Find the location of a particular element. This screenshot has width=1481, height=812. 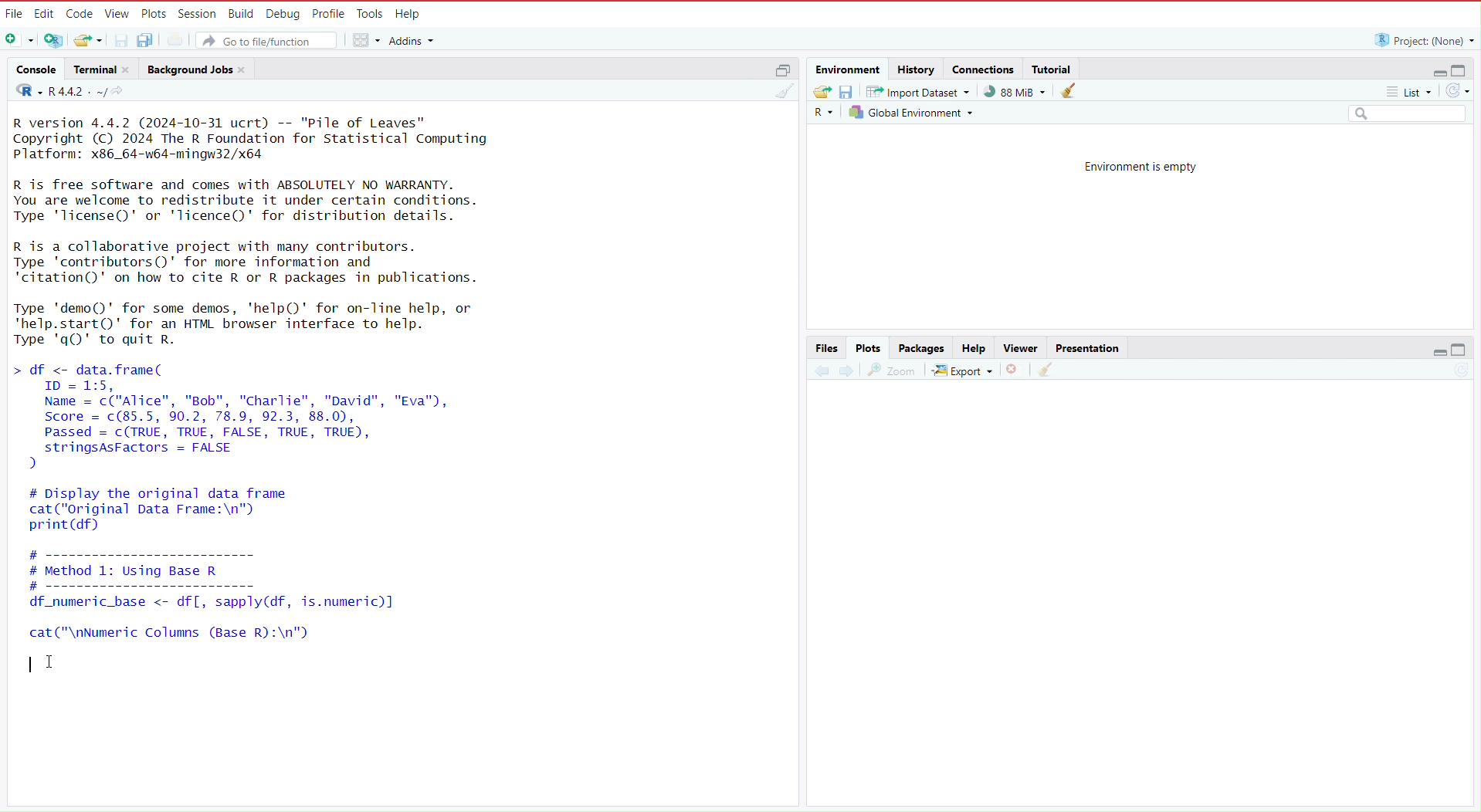

maximize is located at coordinates (781, 68).